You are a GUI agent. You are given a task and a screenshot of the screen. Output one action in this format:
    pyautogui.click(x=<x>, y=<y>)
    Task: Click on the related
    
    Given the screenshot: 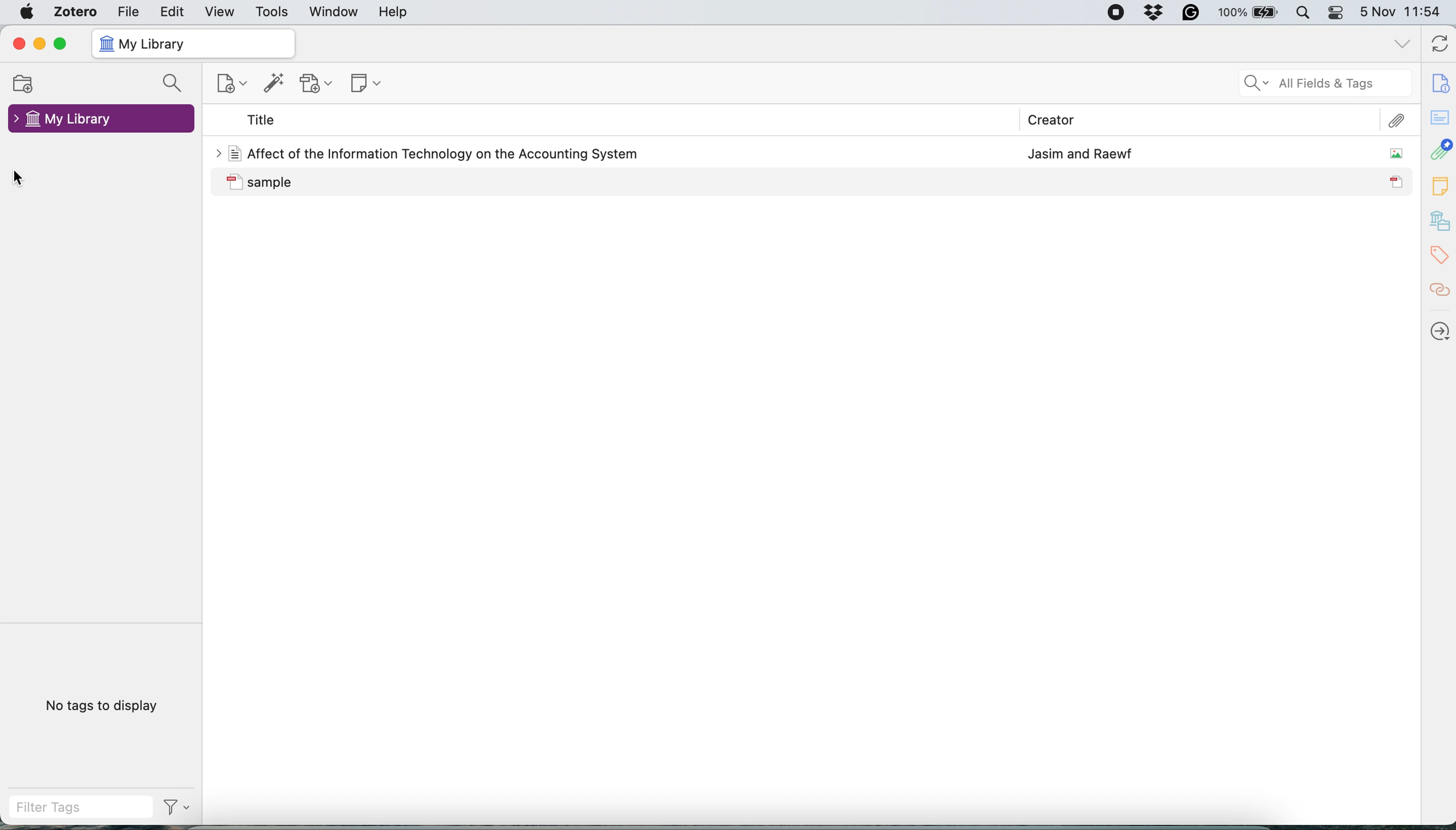 What is the action you would take?
    pyautogui.click(x=1436, y=288)
    